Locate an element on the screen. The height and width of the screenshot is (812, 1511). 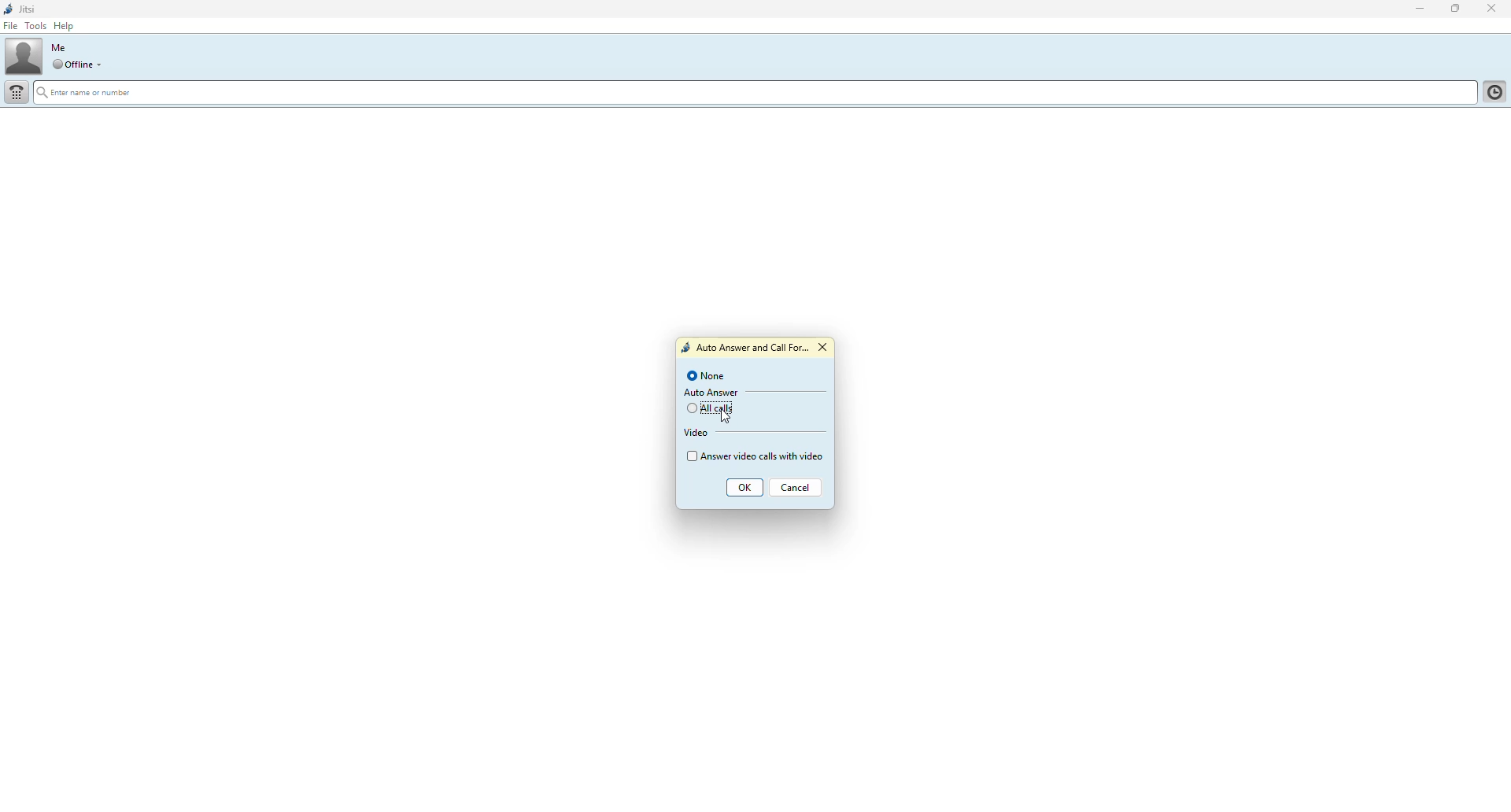
close is located at coordinates (1494, 8).